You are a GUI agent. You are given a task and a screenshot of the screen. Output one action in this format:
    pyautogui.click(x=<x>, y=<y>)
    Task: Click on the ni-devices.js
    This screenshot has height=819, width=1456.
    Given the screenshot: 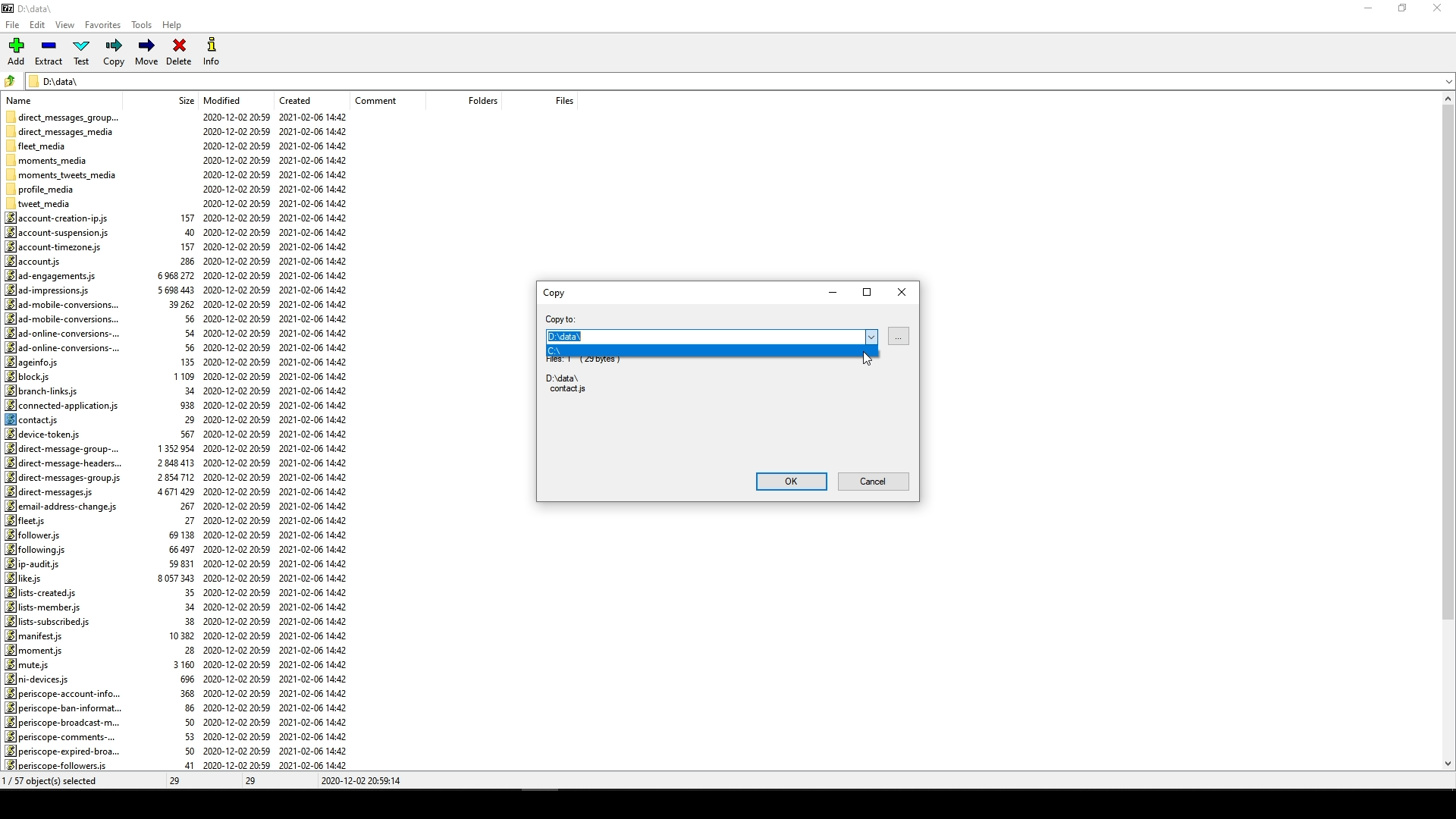 What is the action you would take?
    pyautogui.click(x=40, y=678)
    